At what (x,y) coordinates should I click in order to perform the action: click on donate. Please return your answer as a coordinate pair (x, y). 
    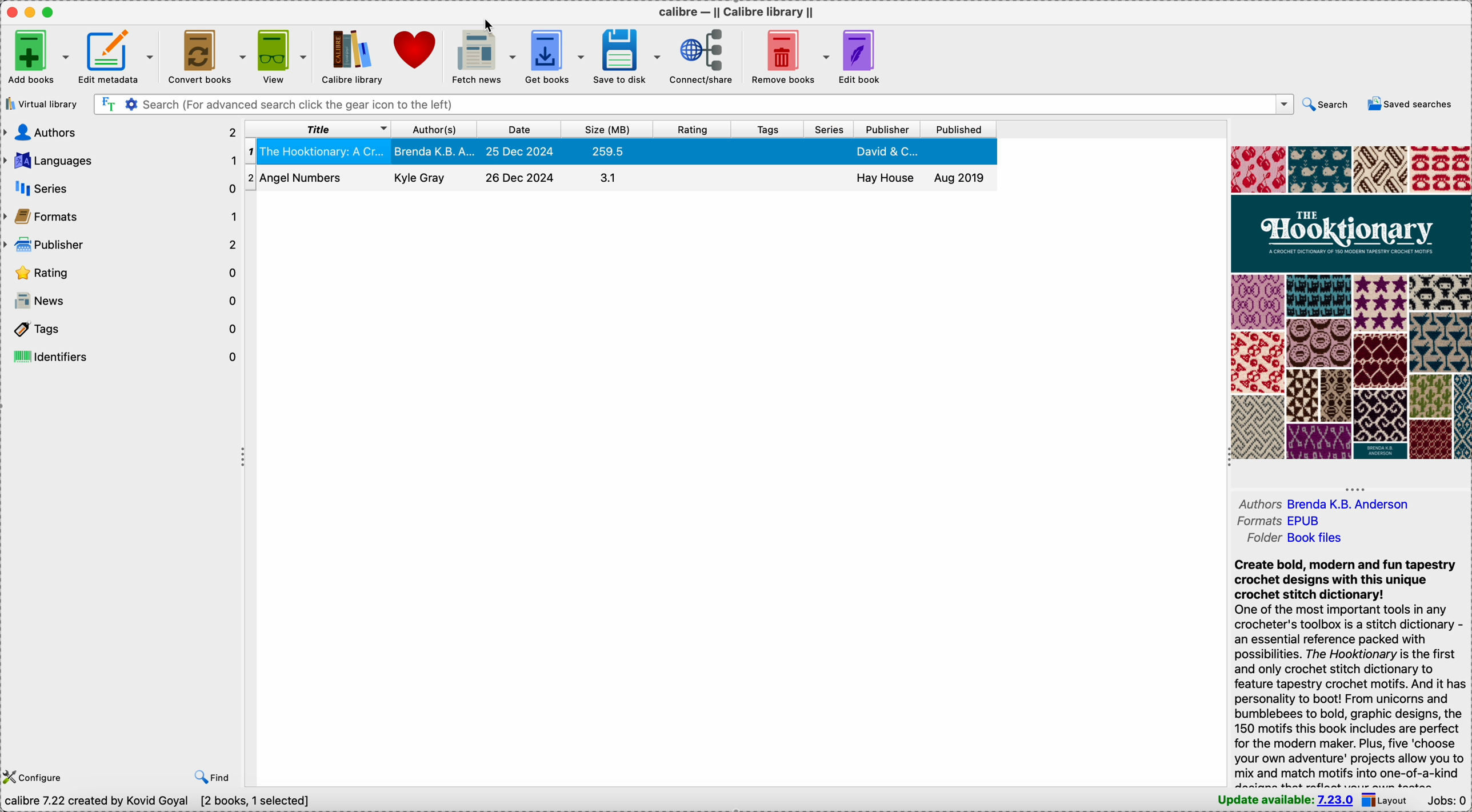
    Looking at the image, I should click on (417, 49).